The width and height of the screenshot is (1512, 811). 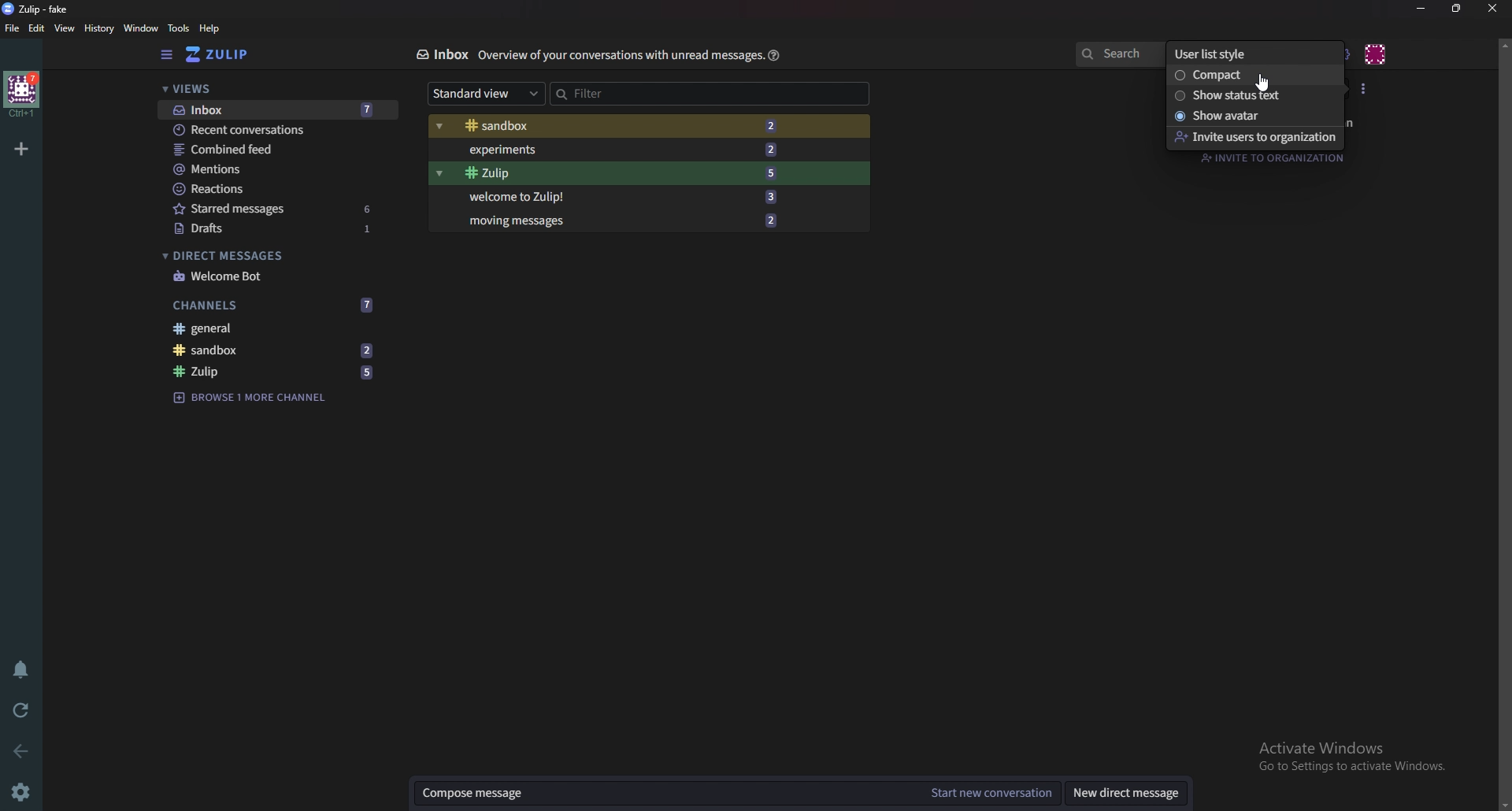 What do you see at coordinates (276, 171) in the screenshot?
I see `Mentions` at bounding box center [276, 171].